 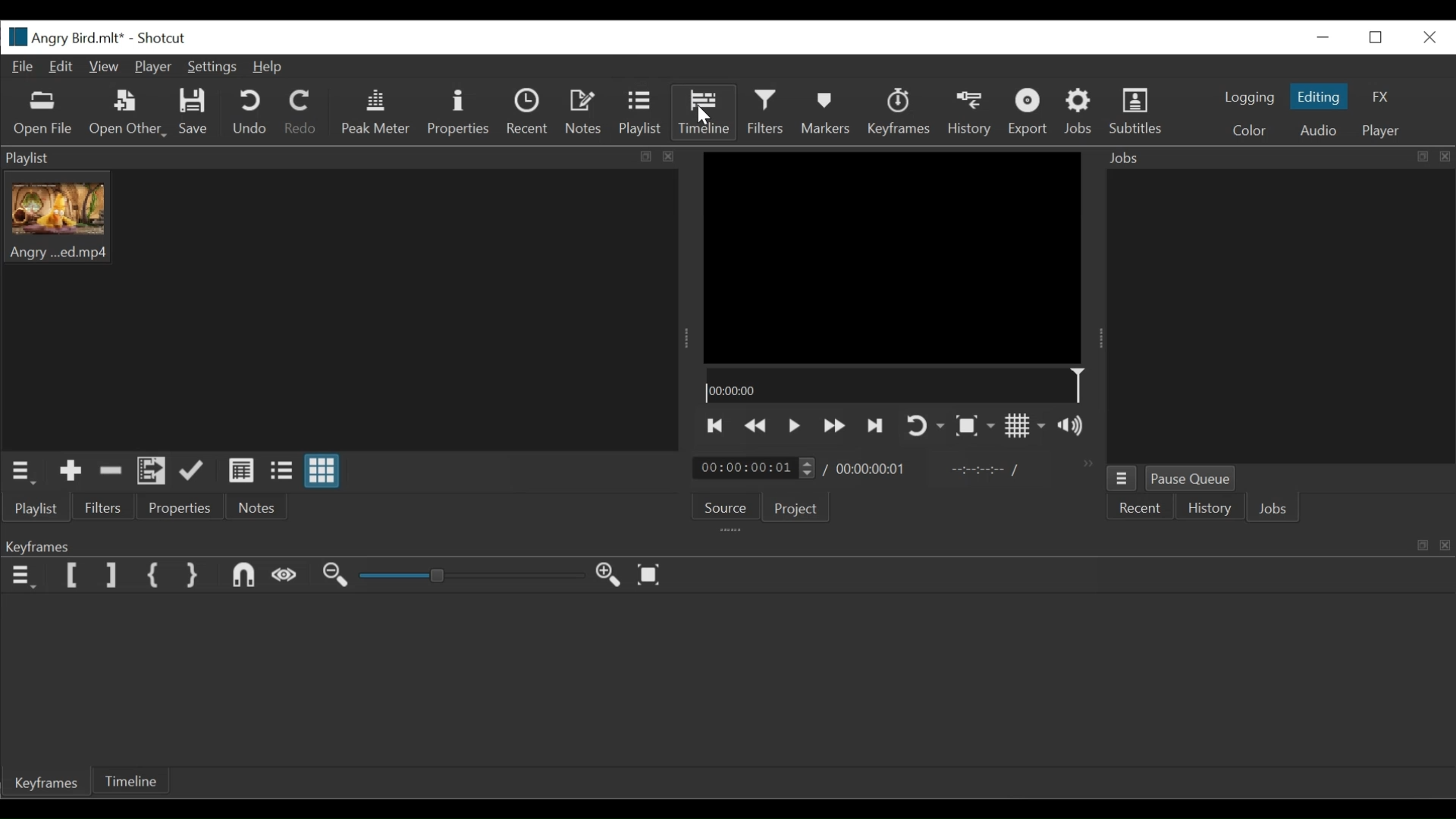 I want to click on Undo, so click(x=251, y=113).